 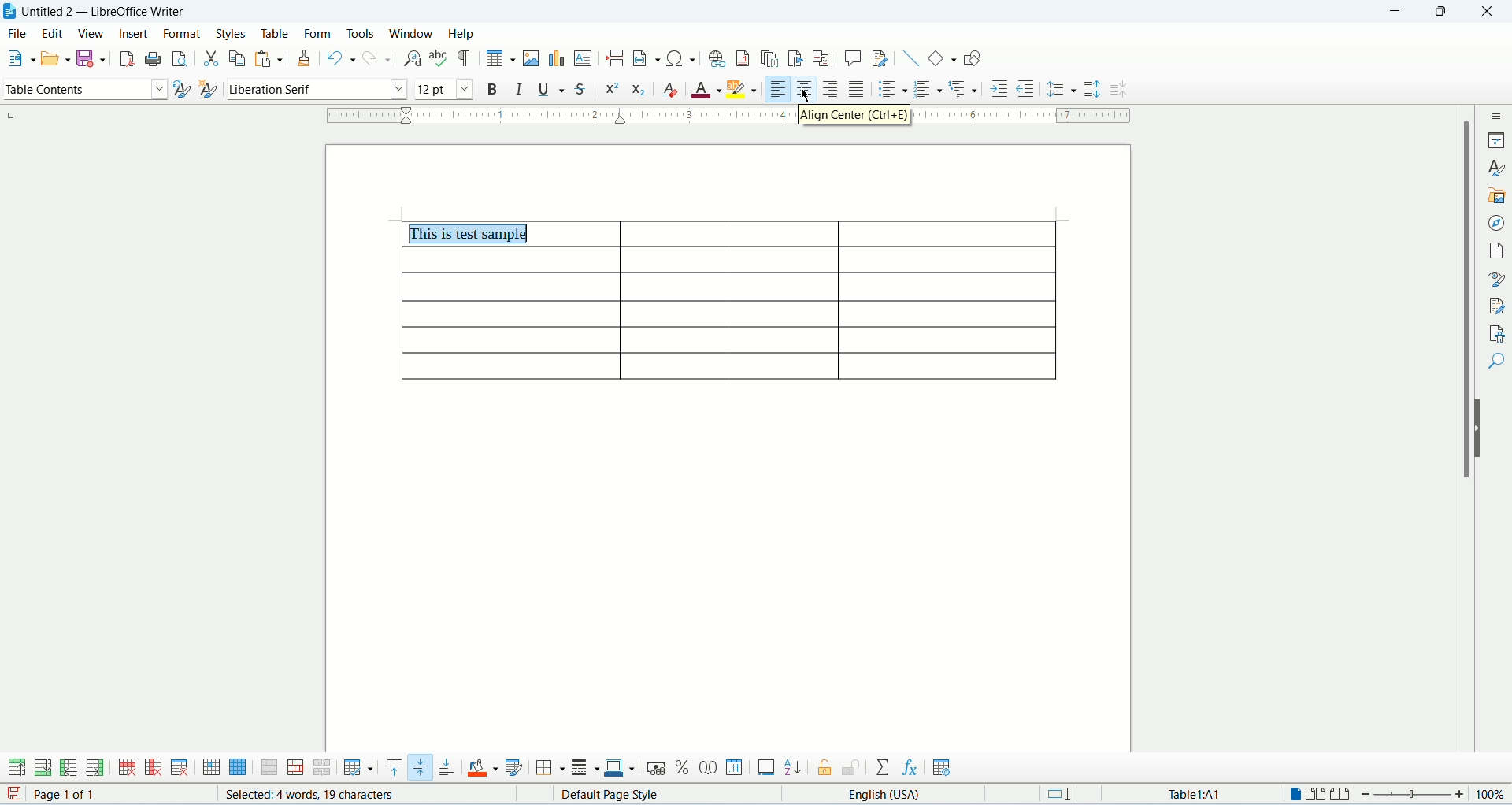 What do you see at coordinates (378, 57) in the screenshot?
I see `redo` at bounding box center [378, 57].